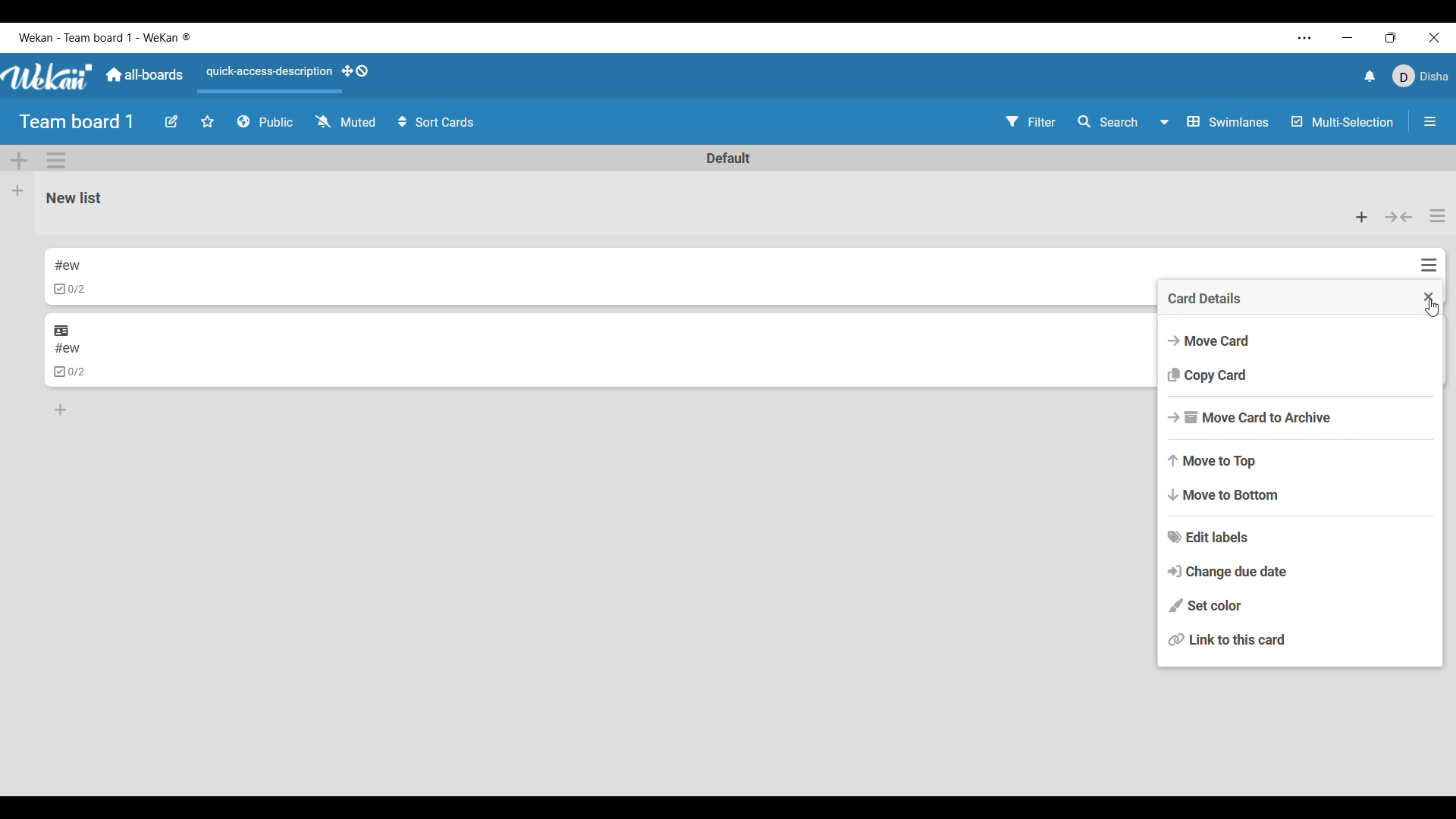 This screenshot has width=1456, height=819. Describe the element at coordinates (1031, 121) in the screenshot. I see `Filter` at that location.